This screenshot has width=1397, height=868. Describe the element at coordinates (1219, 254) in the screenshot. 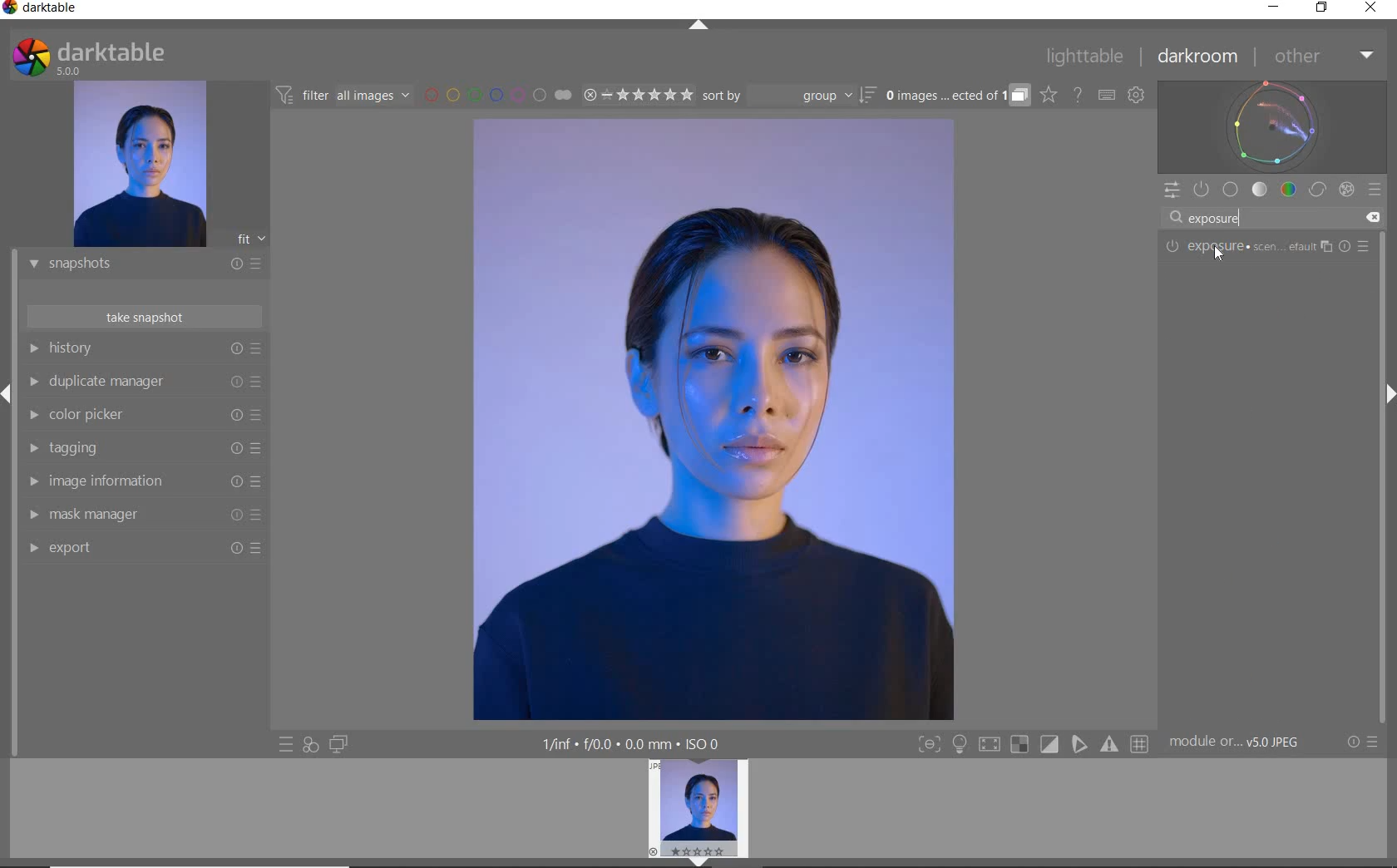

I see `Cursor` at that location.